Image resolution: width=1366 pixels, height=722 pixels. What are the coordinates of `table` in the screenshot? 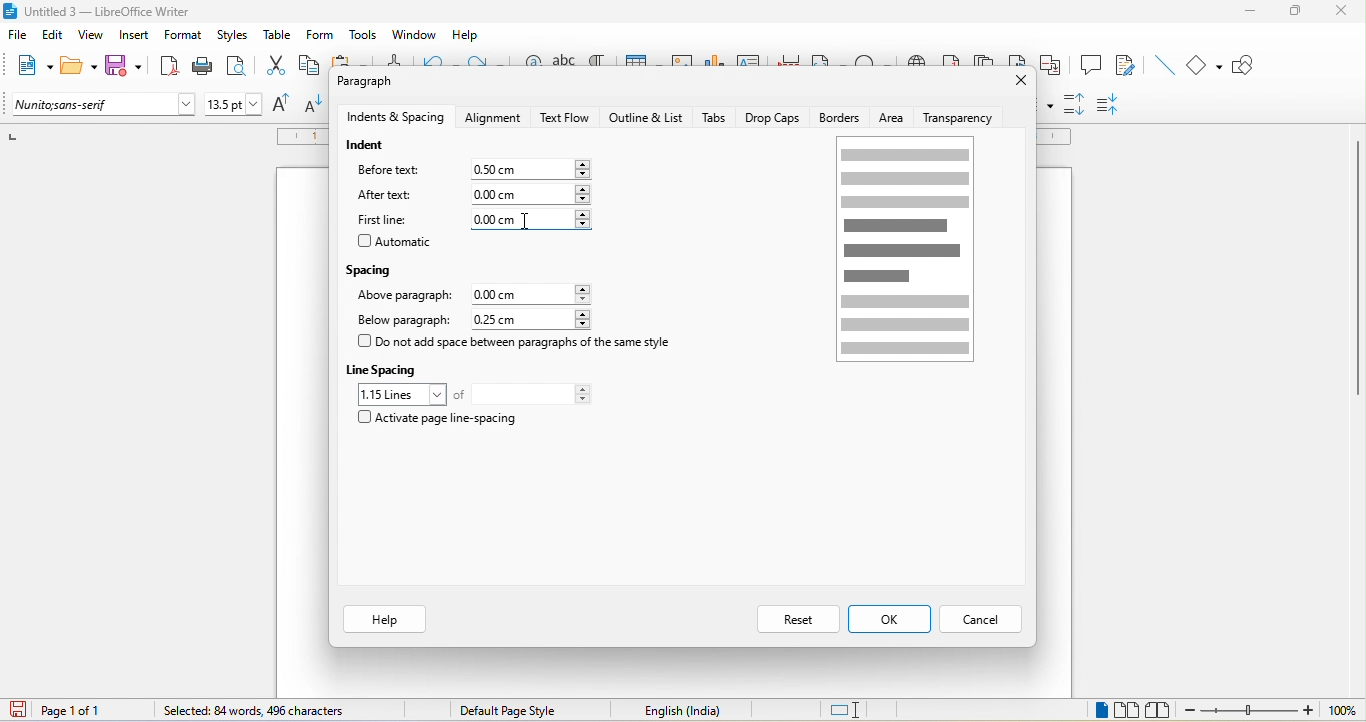 It's located at (278, 34).